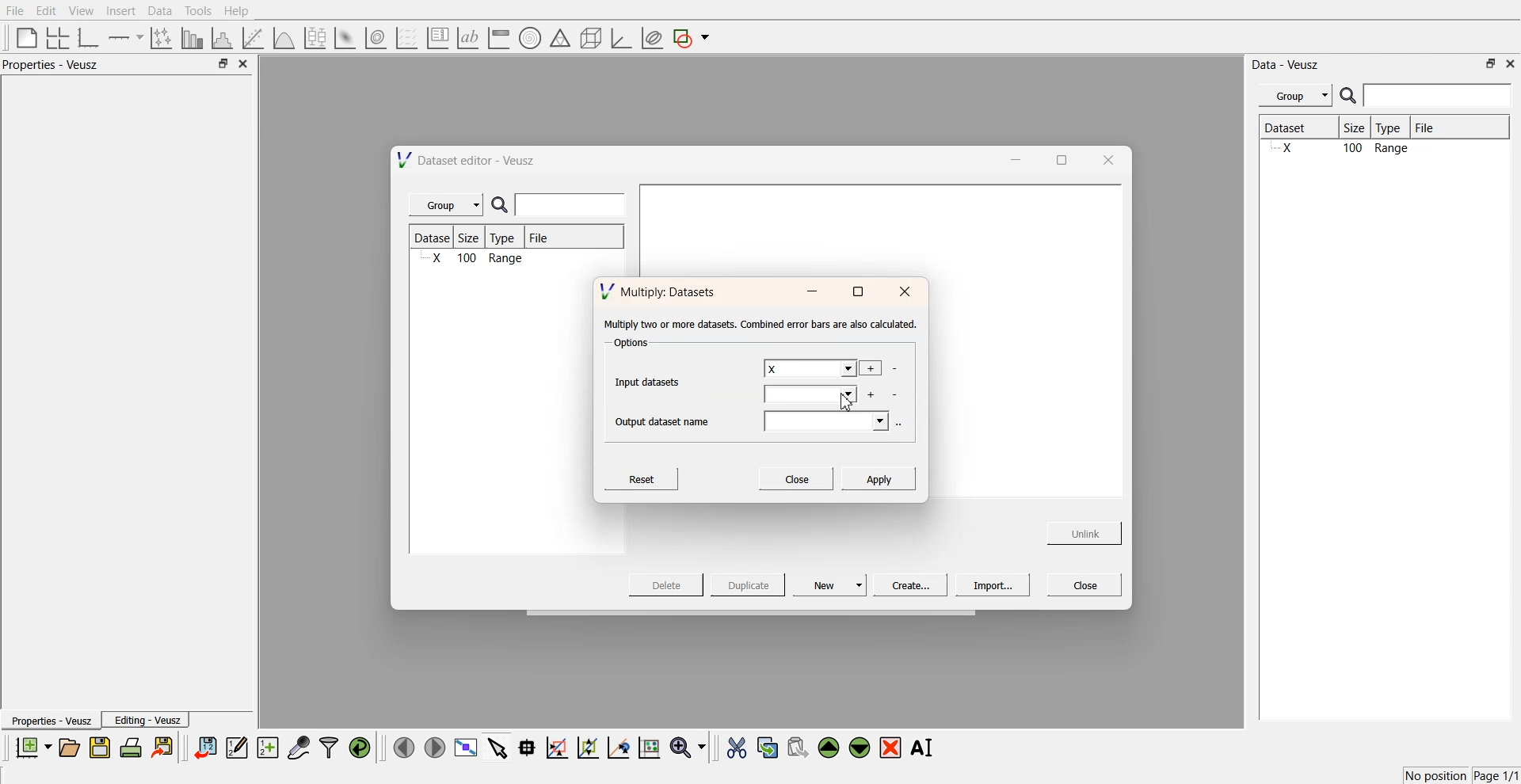  I want to click on Close., so click(795, 478).